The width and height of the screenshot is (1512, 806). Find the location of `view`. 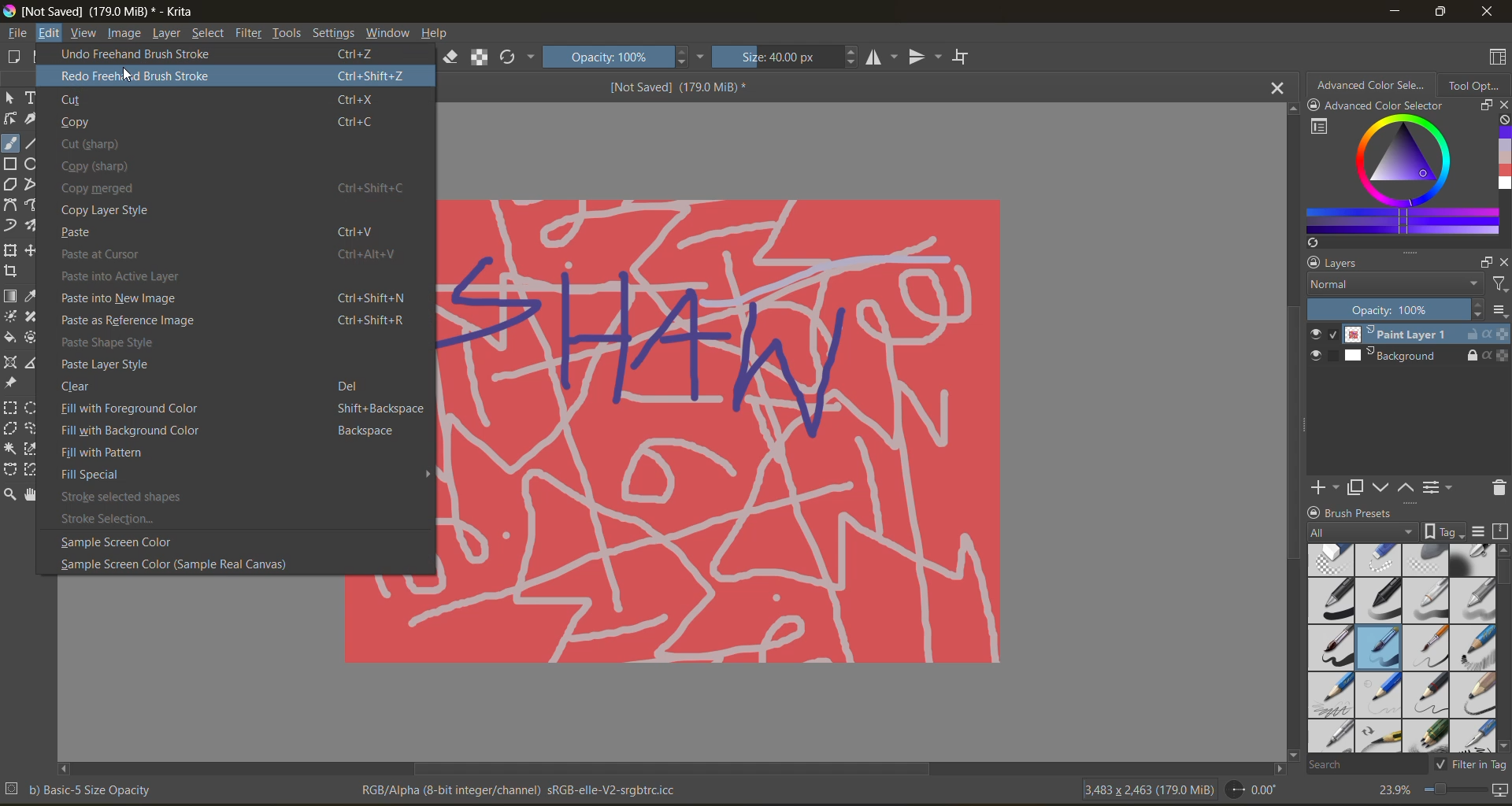

view is located at coordinates (84, 32).